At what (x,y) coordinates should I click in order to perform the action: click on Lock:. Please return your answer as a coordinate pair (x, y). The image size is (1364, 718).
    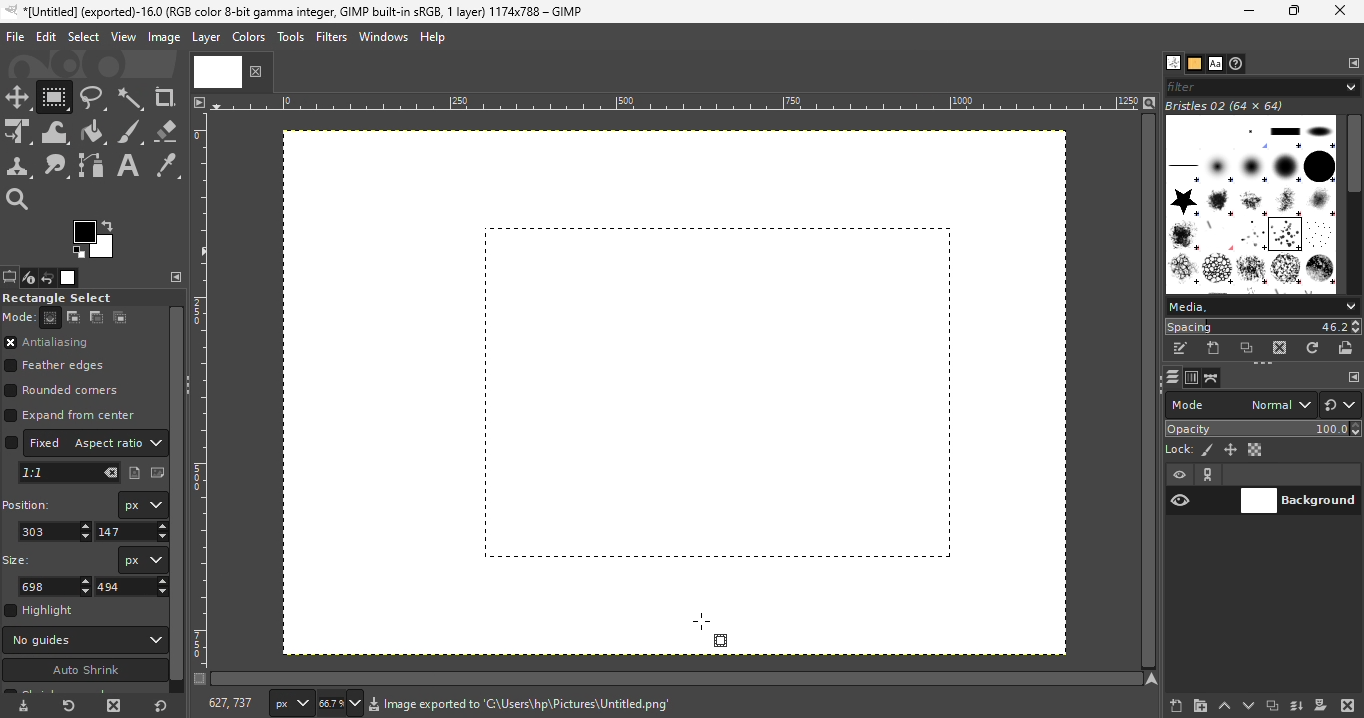
    Looking at the image, I should click on (1176, 448).